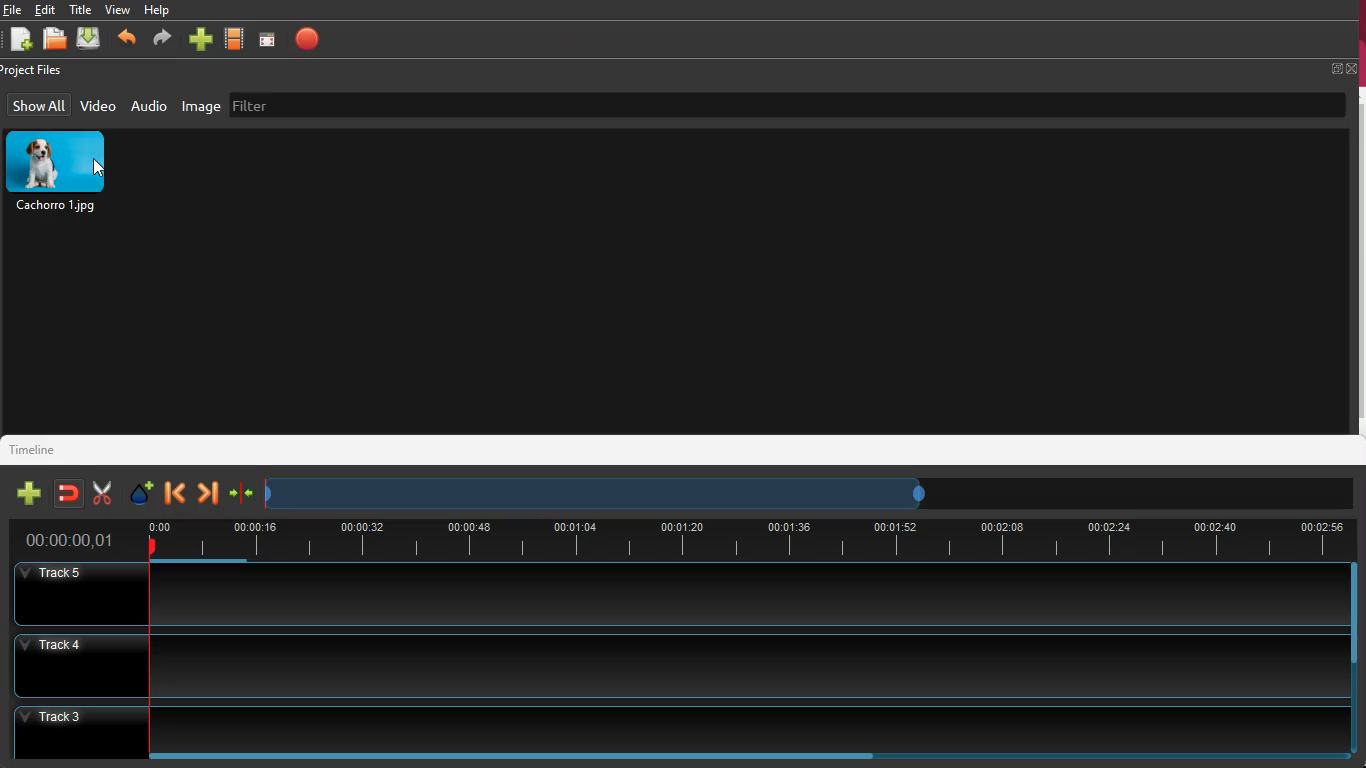 Image resolution: width=1366 pixels, height=768 pixels. Describe the element at coordinates (203, 37) in the screenshot. I see `new` at that location.